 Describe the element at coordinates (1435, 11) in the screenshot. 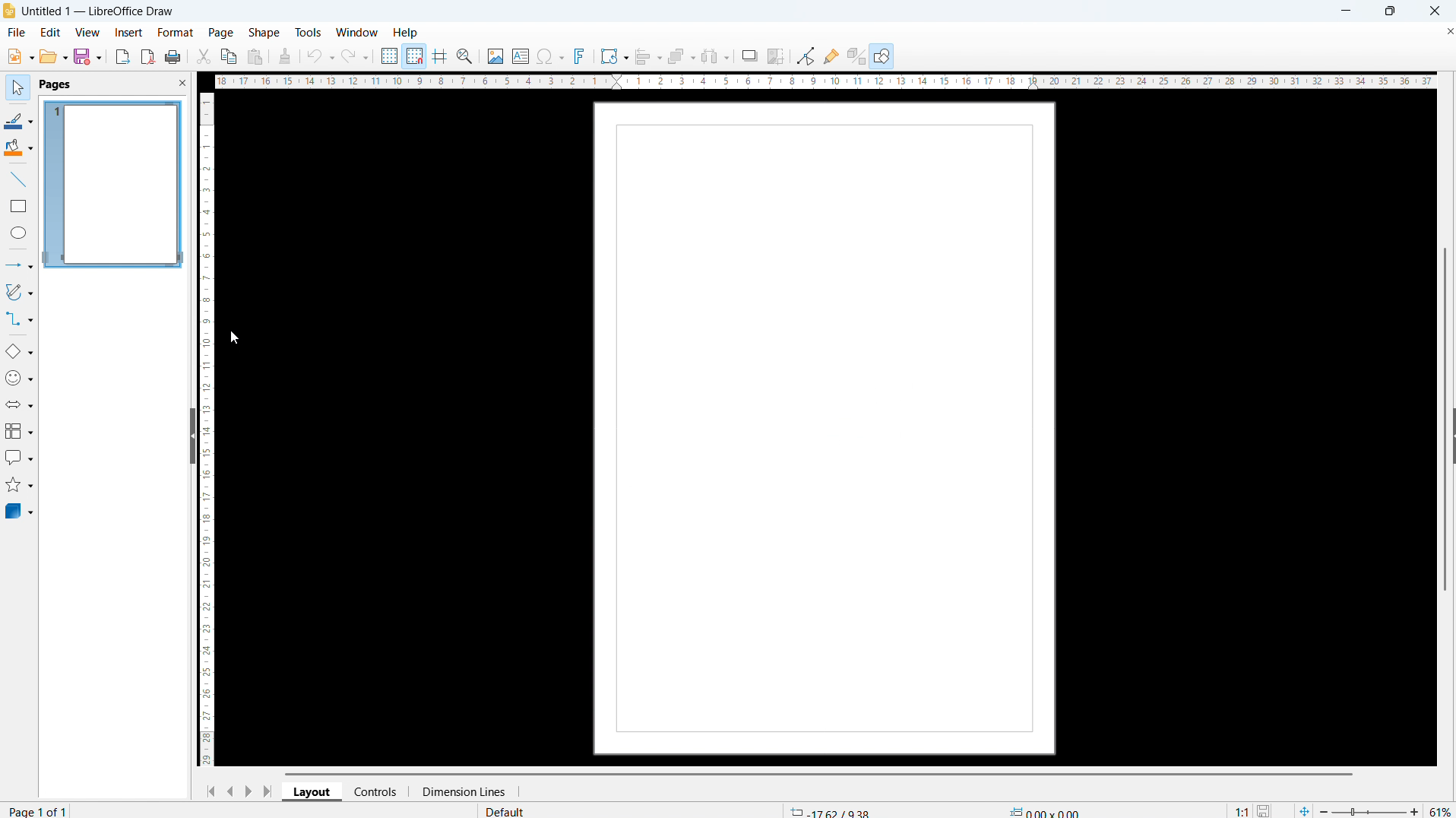

I see `close` at that location.